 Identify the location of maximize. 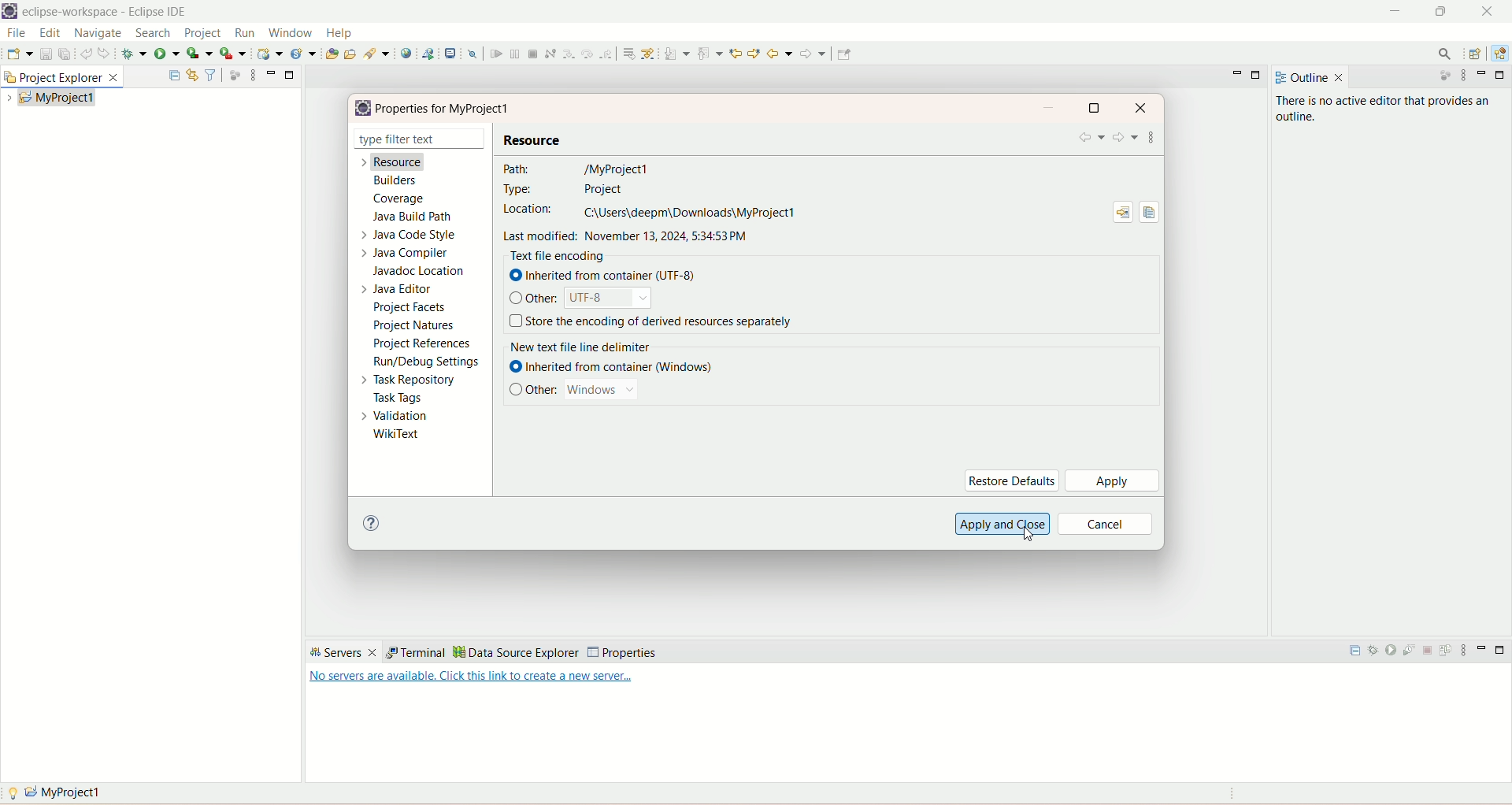
(1503, 76).